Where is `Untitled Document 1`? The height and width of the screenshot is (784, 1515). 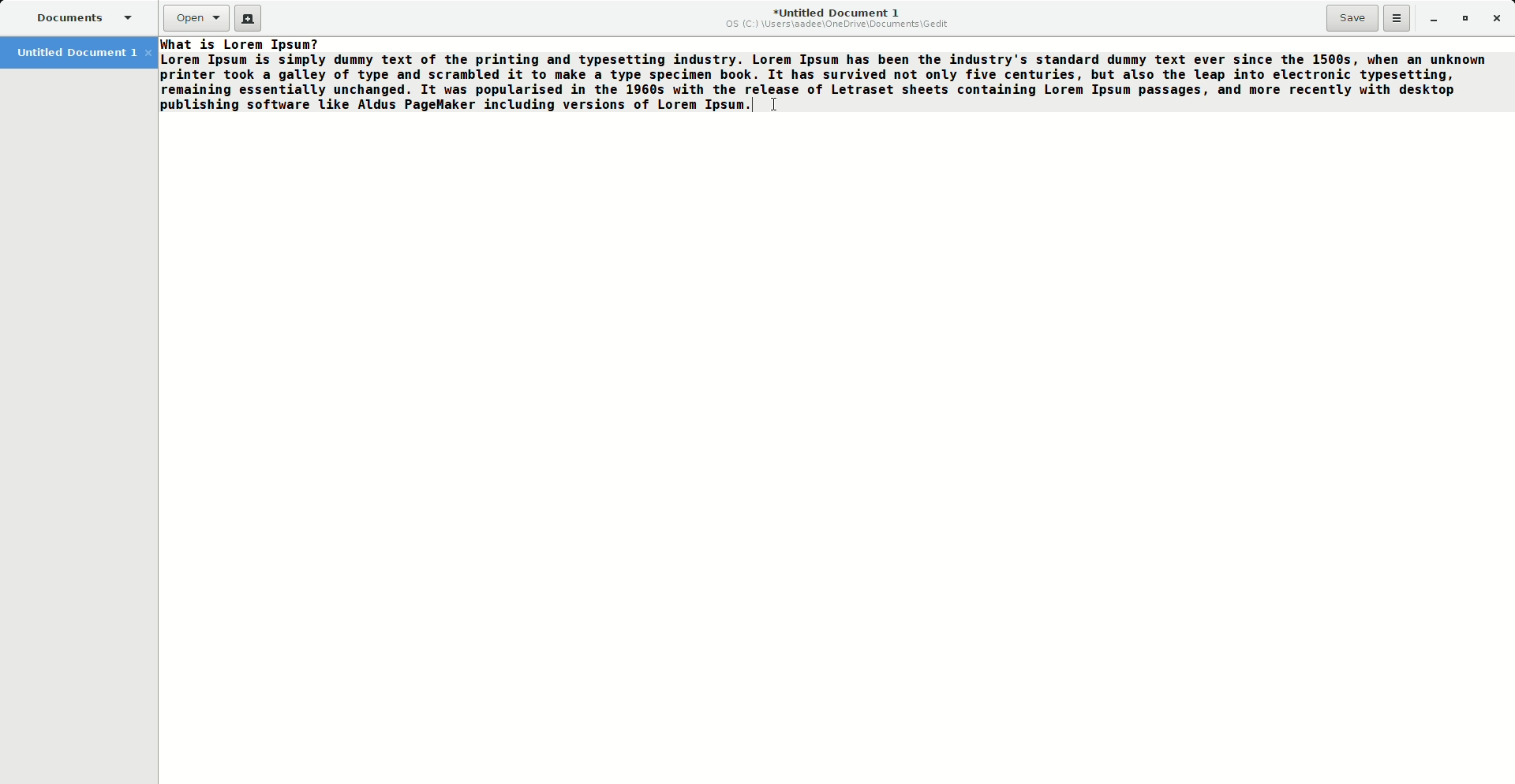
Untitled Document 1 is located at coordinates (838, 18).